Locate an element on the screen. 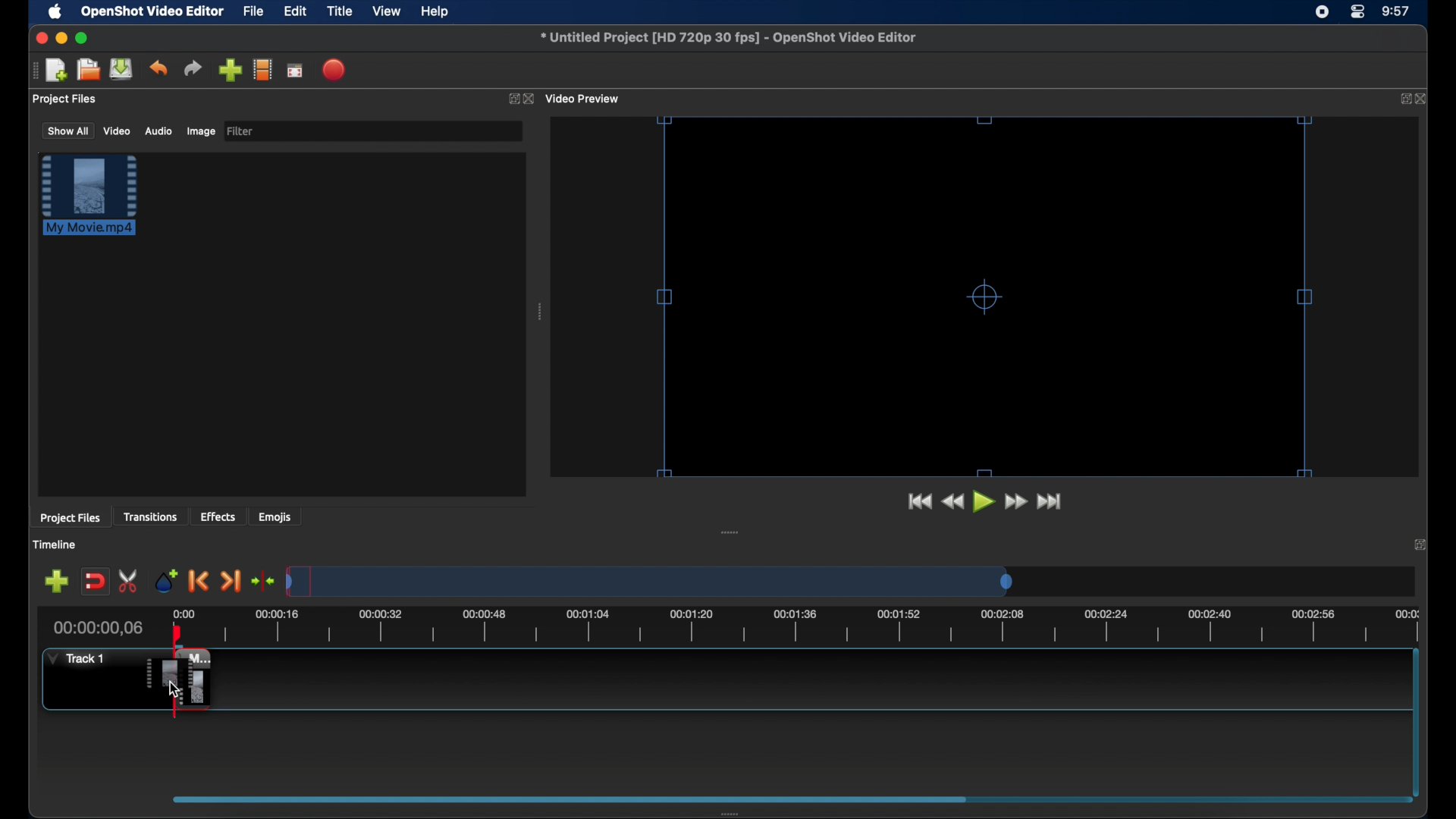 The width and height of the screenshot is (1456, 819). disable snapping is located at coordinates (95, 582).